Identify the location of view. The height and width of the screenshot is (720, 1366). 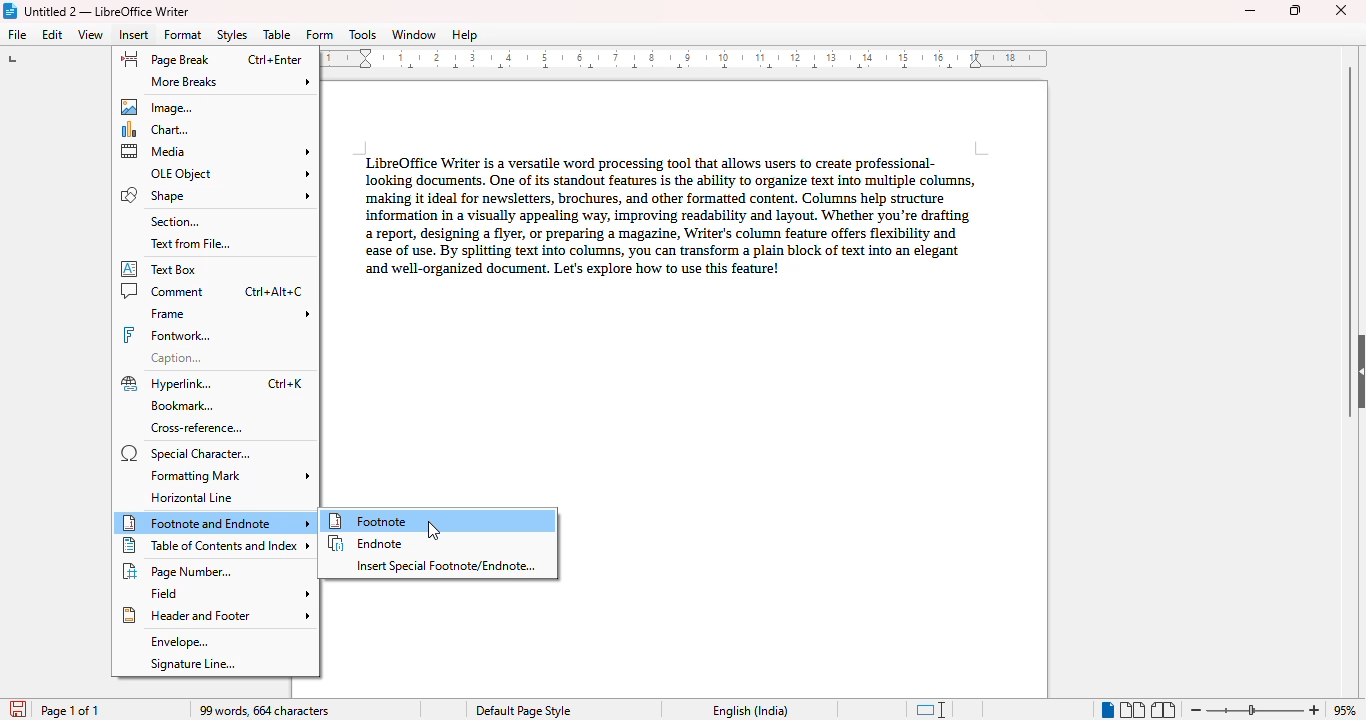
(92, 35).